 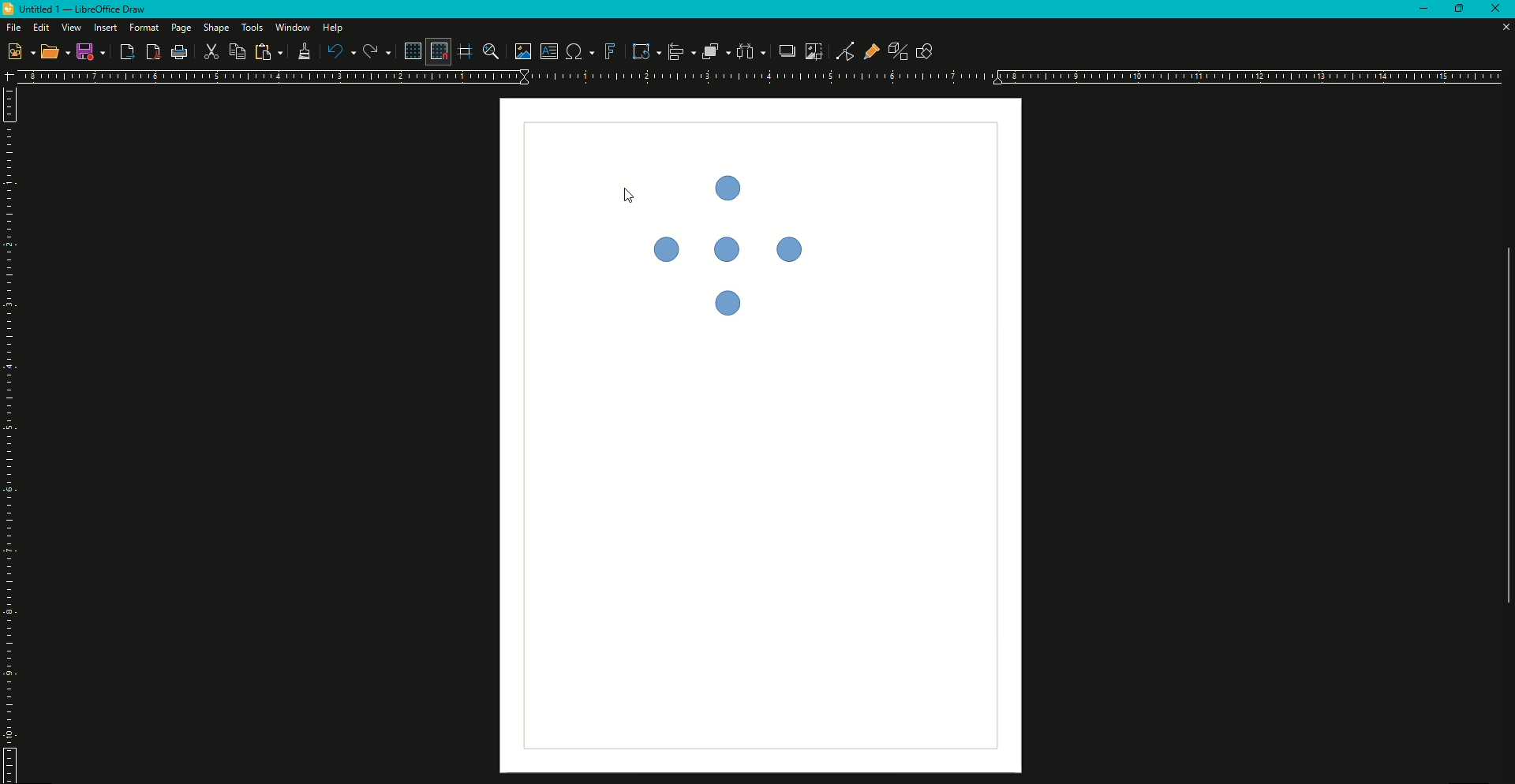 I want to click on Undo, so click(x=339, y=52).